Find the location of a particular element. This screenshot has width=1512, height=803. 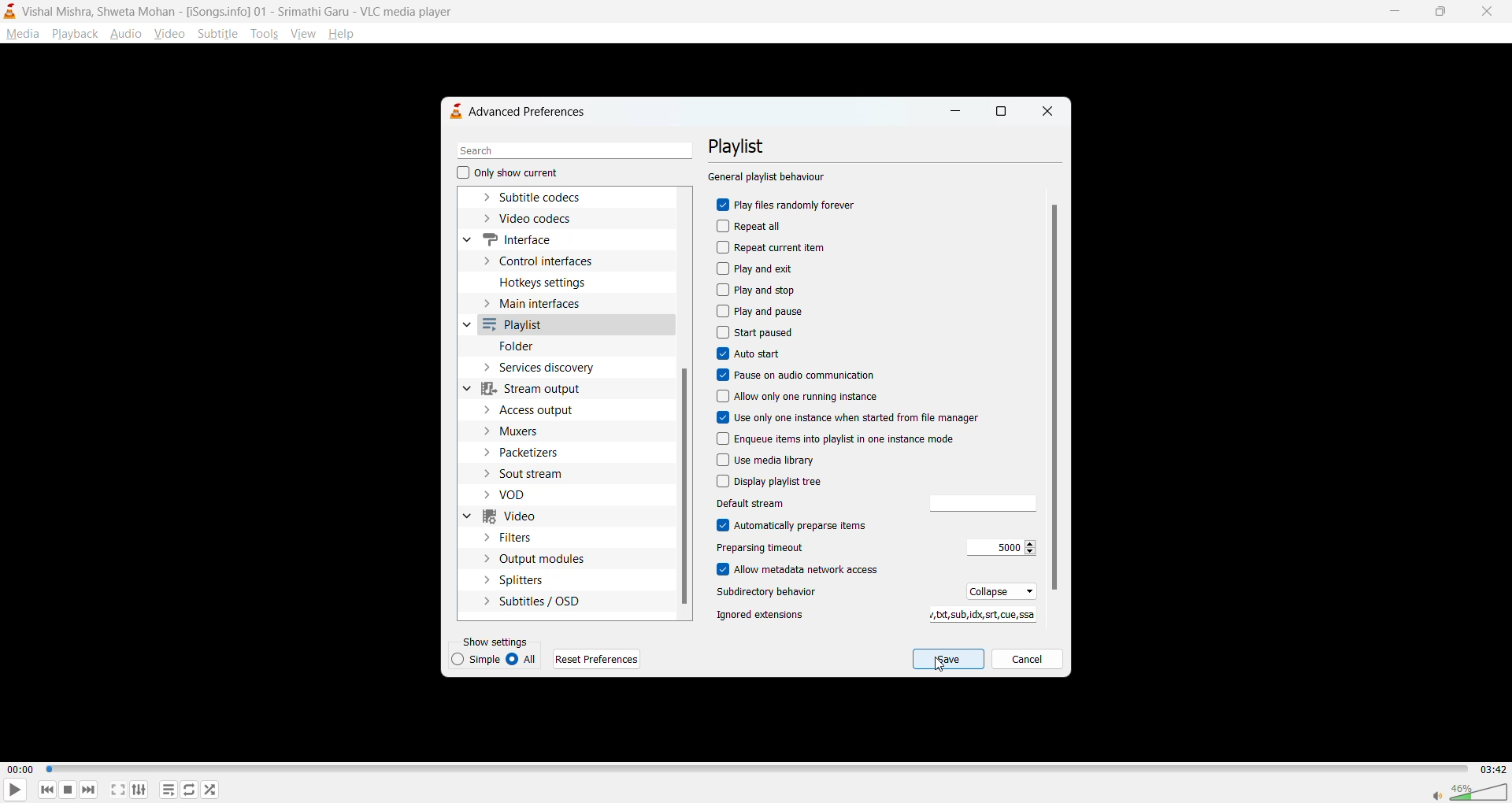

random is located at coordinates (210, 789).